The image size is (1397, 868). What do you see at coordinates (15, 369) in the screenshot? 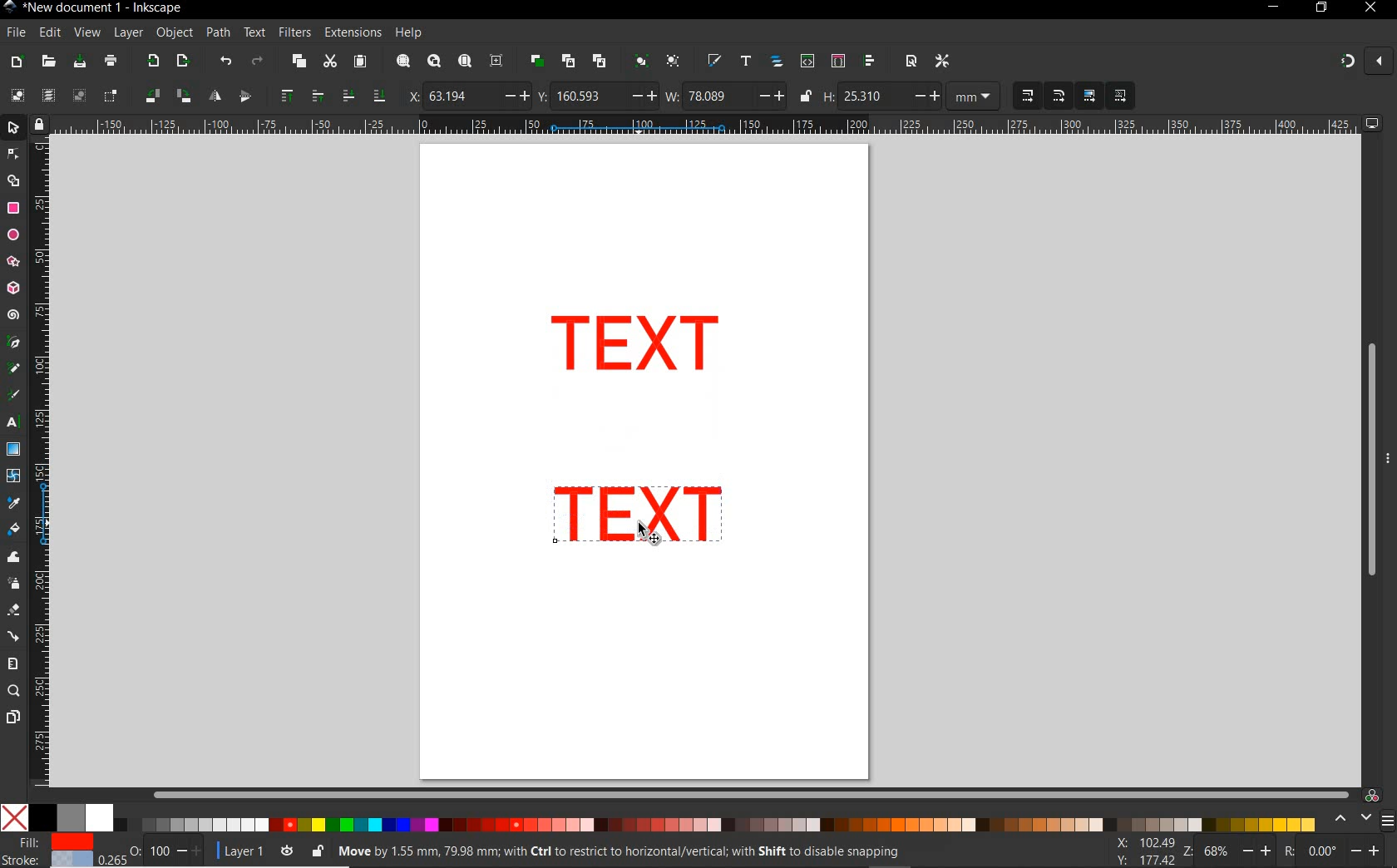
I see `pencil tool` at bounding box center [15, 369].